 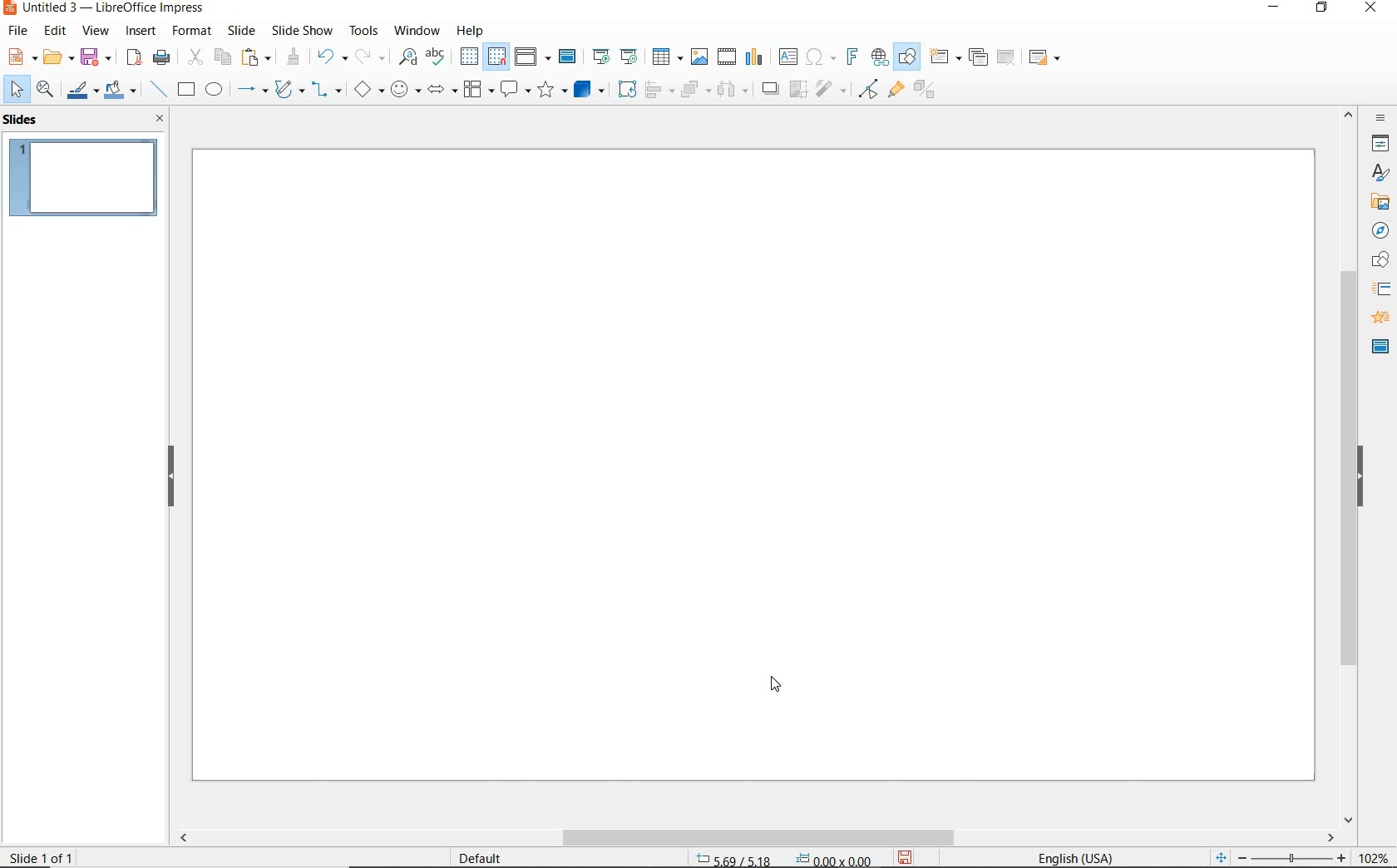 What do you see at coordinates (245, 31) in the screenshot?
I see `SLIDE` at bounding box center [245, 31].